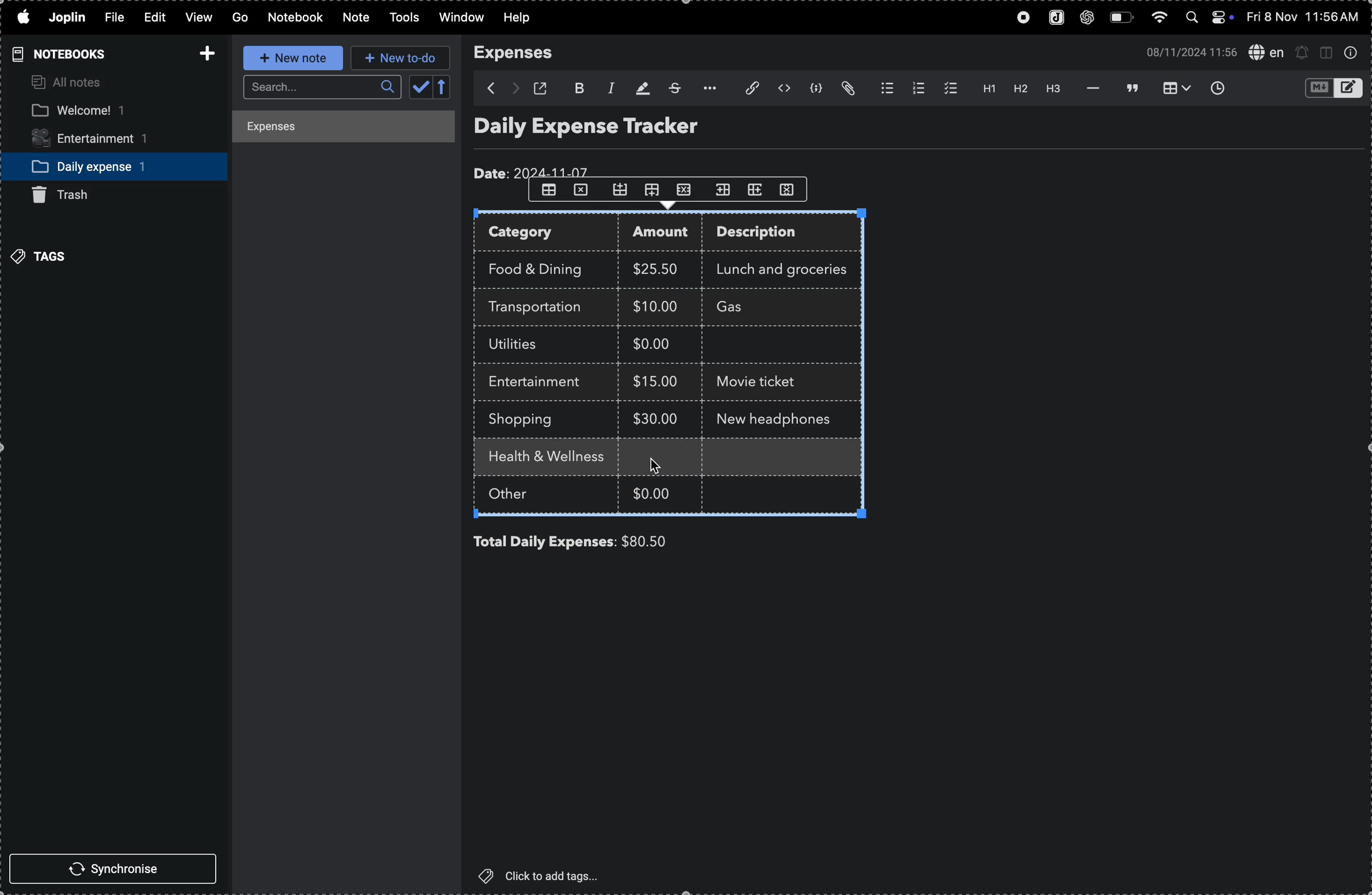  What do you see at coordinates (534, 170) in the screenshot?
I see `date` at bounding box center [534, 170].